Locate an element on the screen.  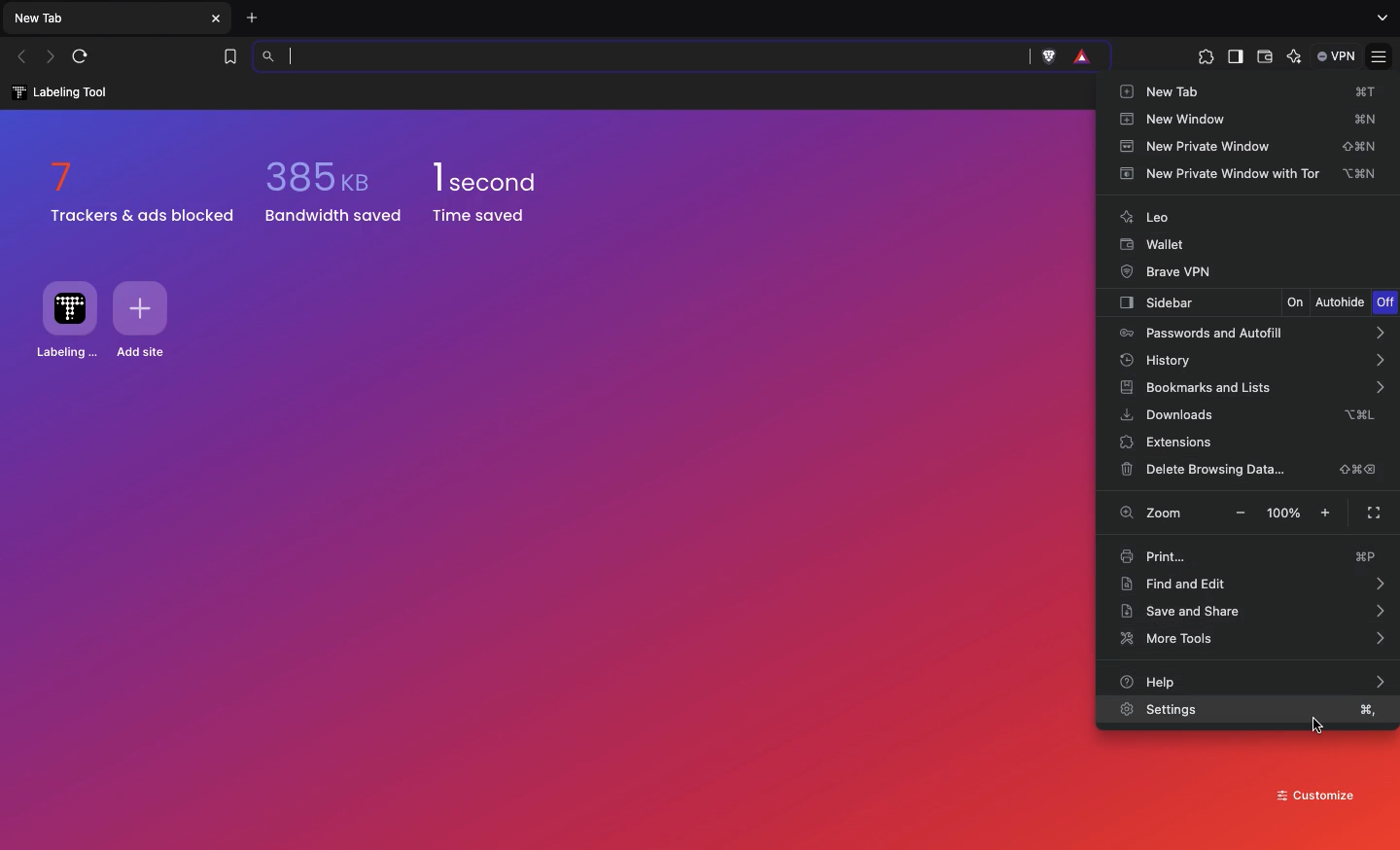
Print is located at coordinates (1250, 555).